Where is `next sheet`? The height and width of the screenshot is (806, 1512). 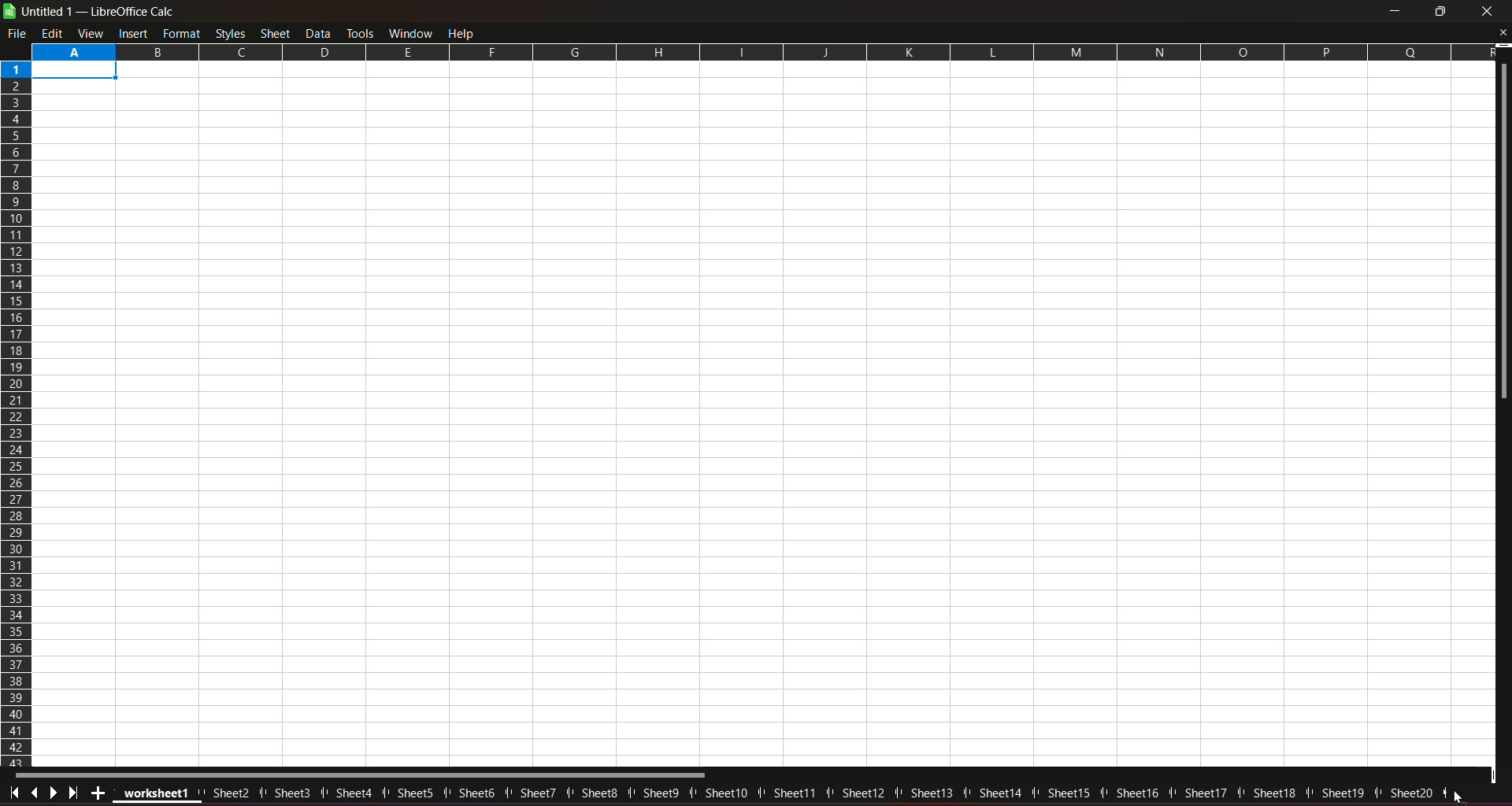
next sheet is located at coordinates (55, 792).